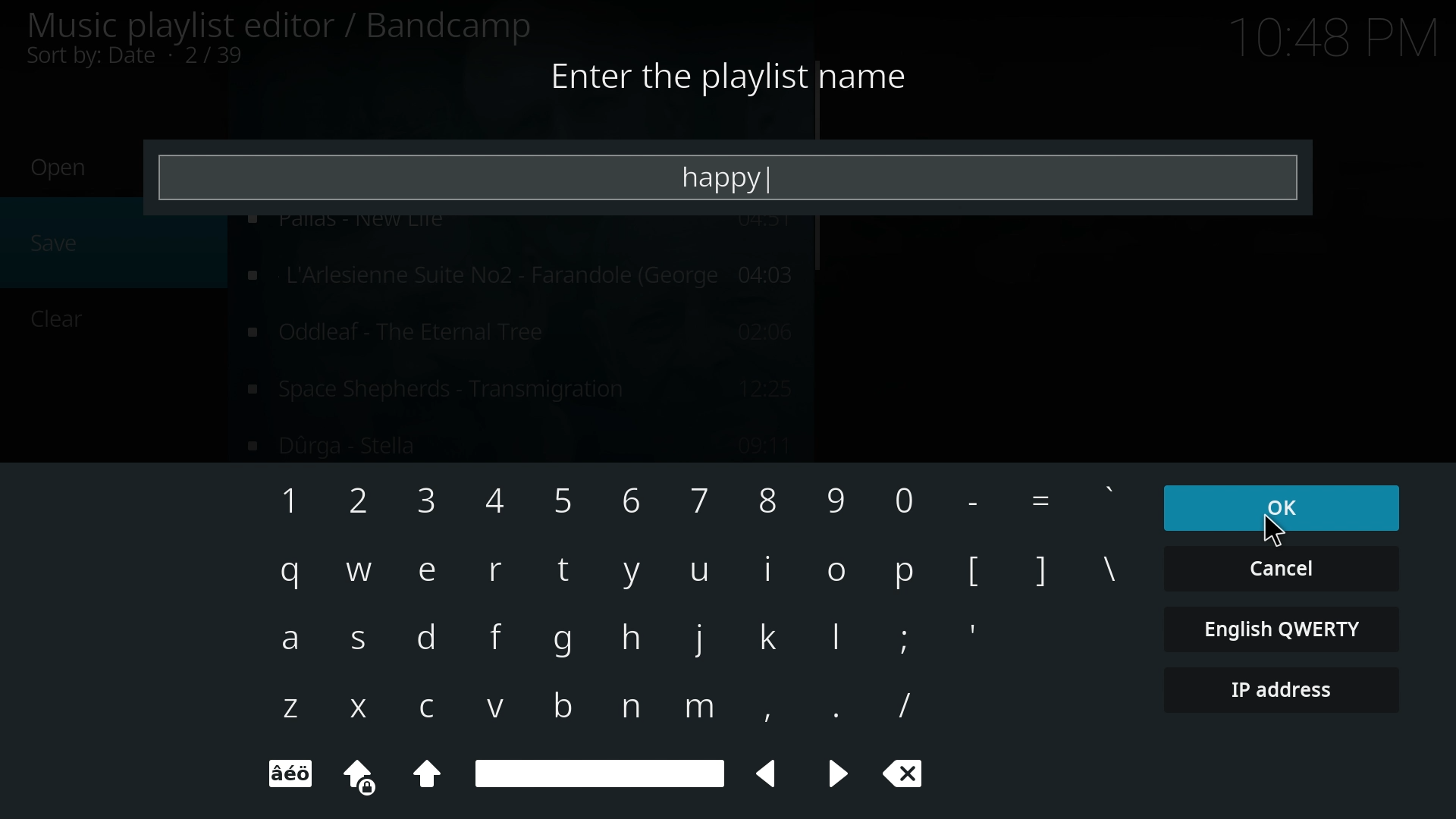 This screenshot has width=1456, height=819. Describe the element at coordinates (692, 637) in the screenshot. I see `Keyboard` at that location.